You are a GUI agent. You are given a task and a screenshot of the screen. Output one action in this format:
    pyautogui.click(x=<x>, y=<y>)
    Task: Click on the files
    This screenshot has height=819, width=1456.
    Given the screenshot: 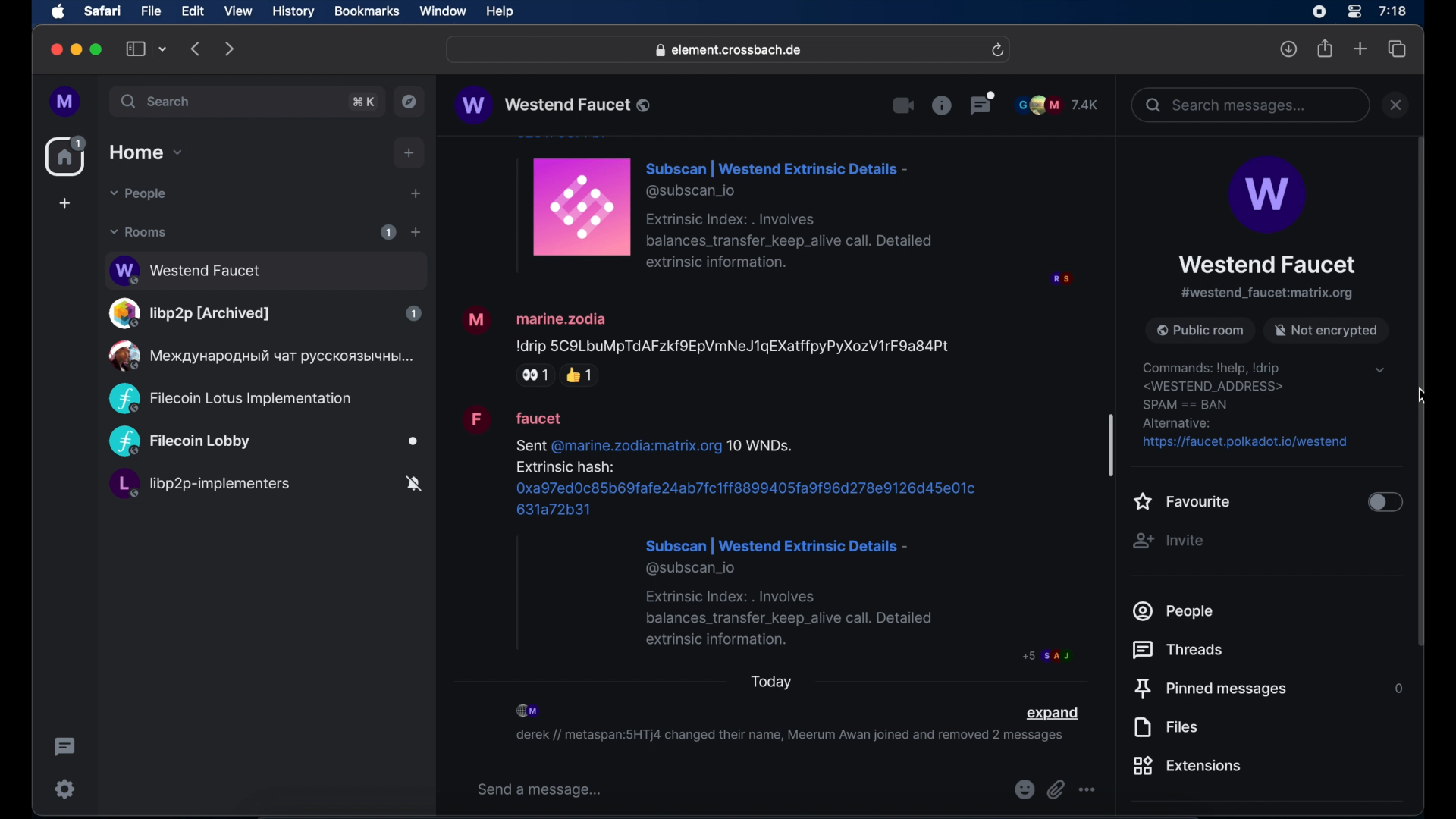 What is the action you would take?
    pyautogui.click(x=1166, y=727)
    